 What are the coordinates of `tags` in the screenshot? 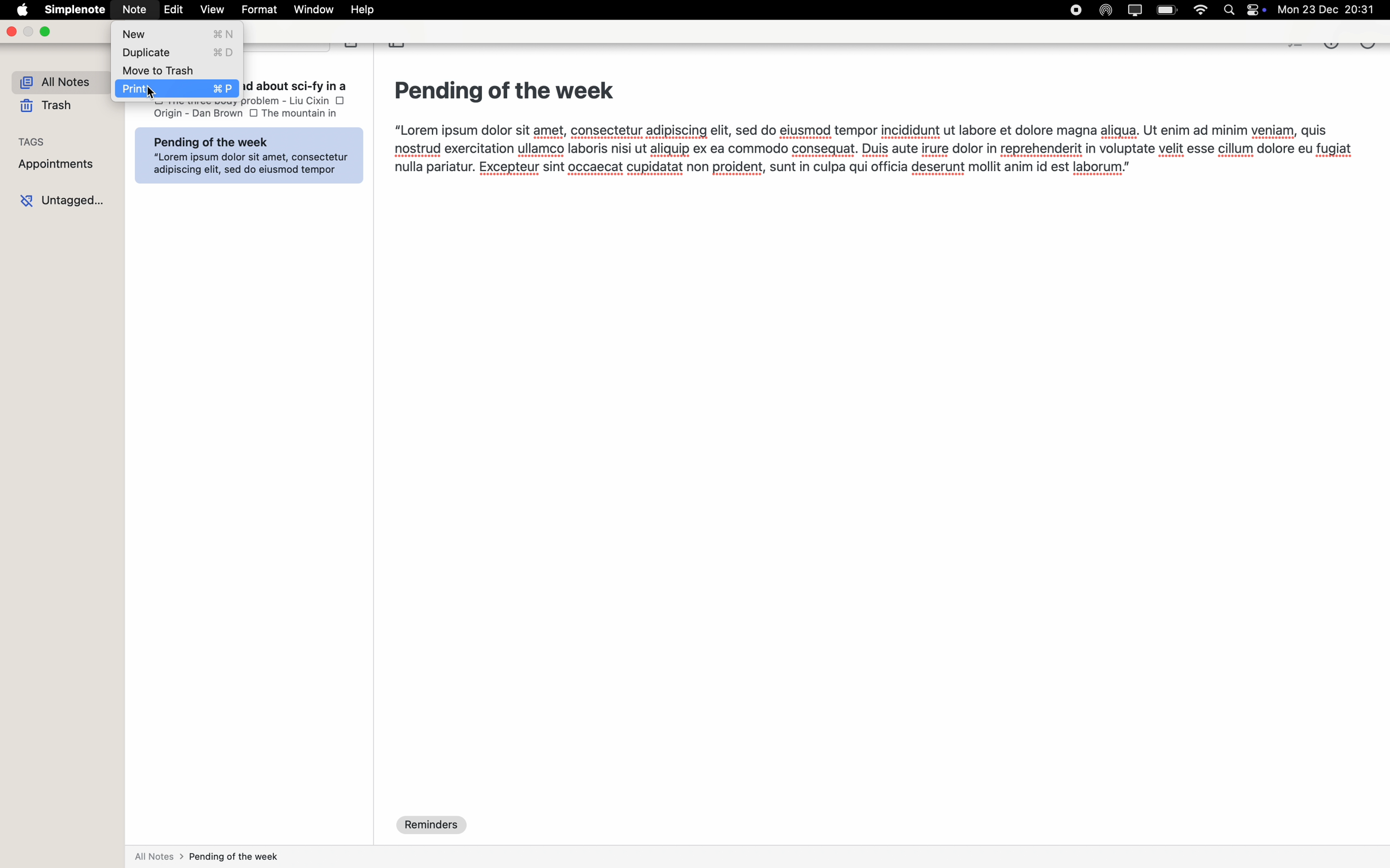 It's located at (36, 144).